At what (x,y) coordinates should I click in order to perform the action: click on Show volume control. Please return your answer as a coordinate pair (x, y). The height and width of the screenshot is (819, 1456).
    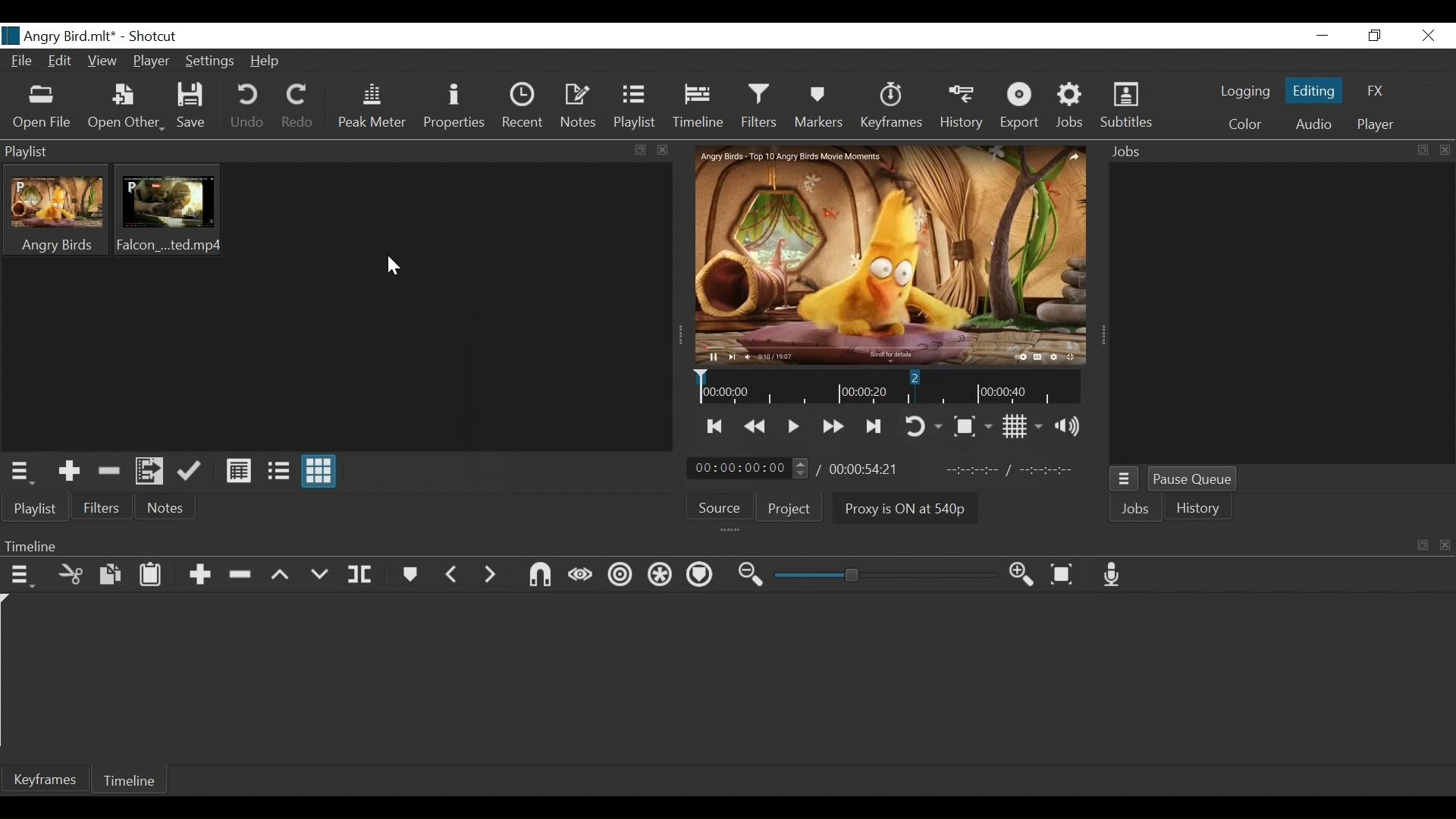
    Looking at the image, I should click on (1068, 426).